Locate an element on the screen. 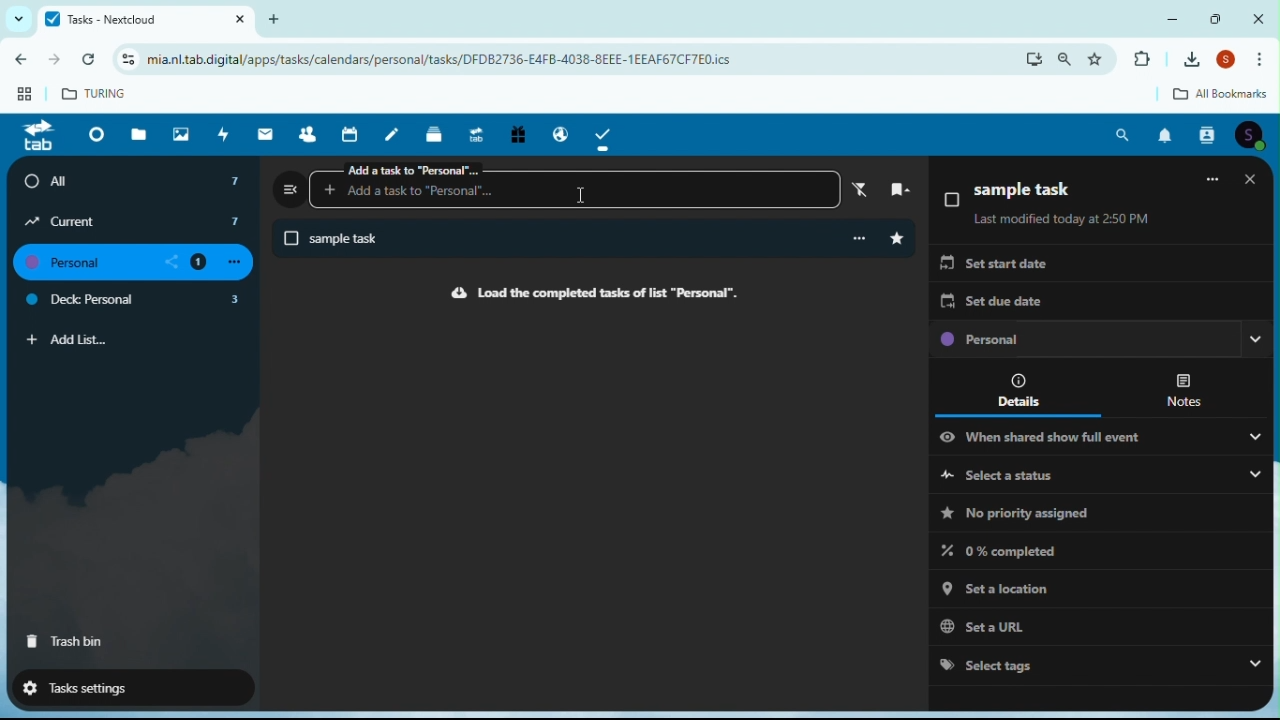  Notes is located at coordinates (1186, 388).